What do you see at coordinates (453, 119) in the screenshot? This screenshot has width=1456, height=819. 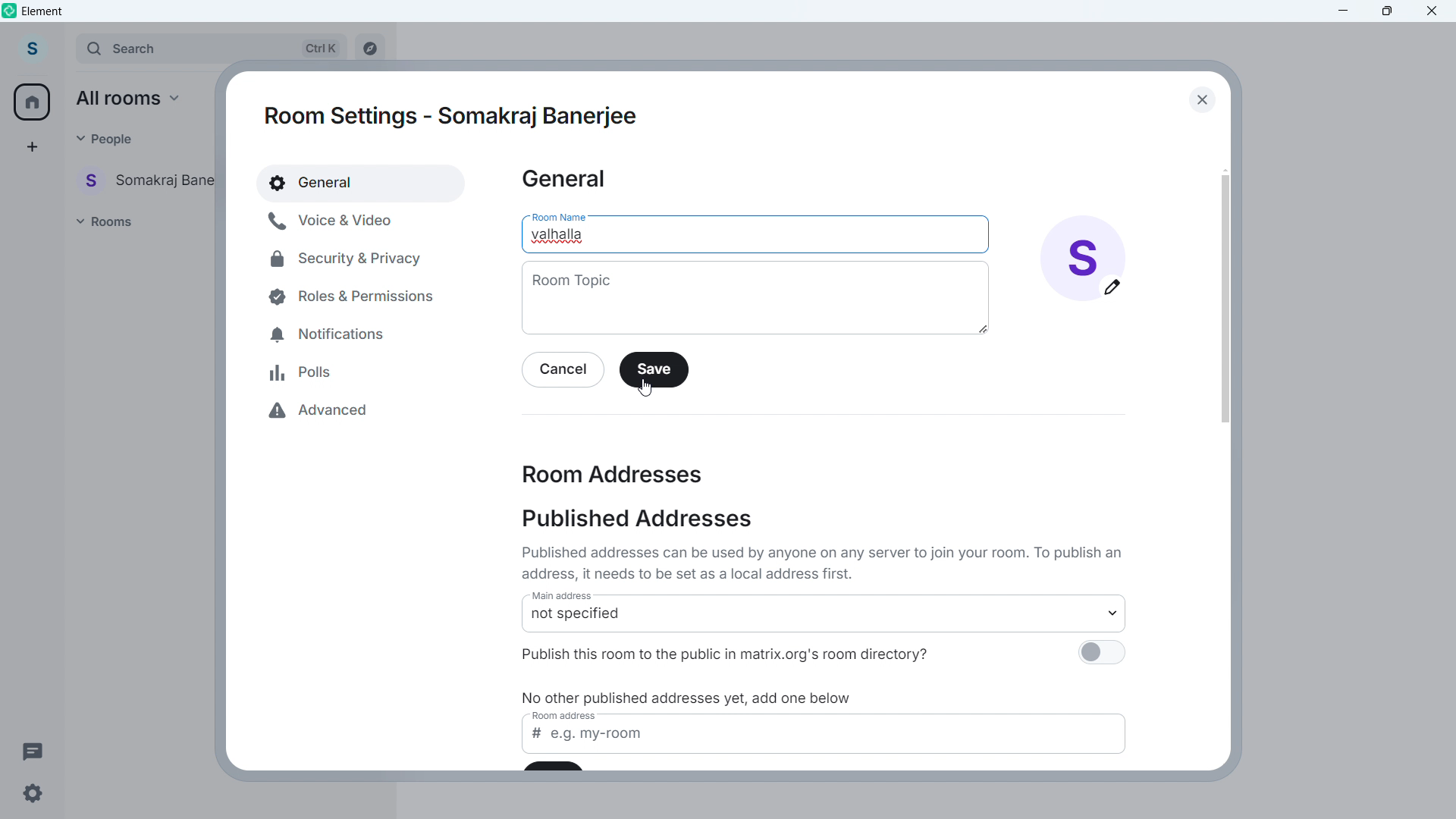 I see `Room settings -somakraj banerjee` at bounding box center [453, 119].